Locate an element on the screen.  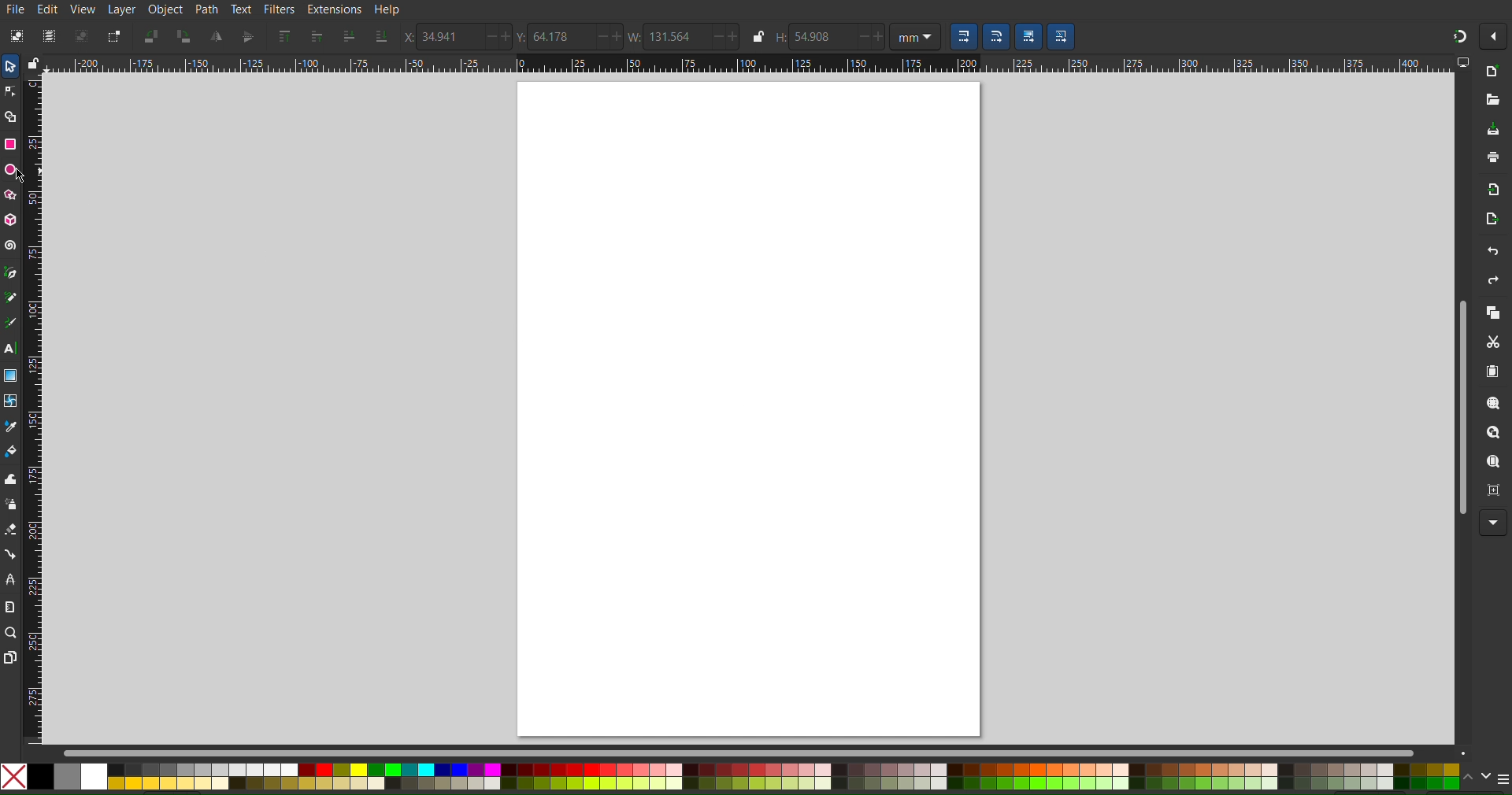
Spray Tool is located at coordinates (11, 505).